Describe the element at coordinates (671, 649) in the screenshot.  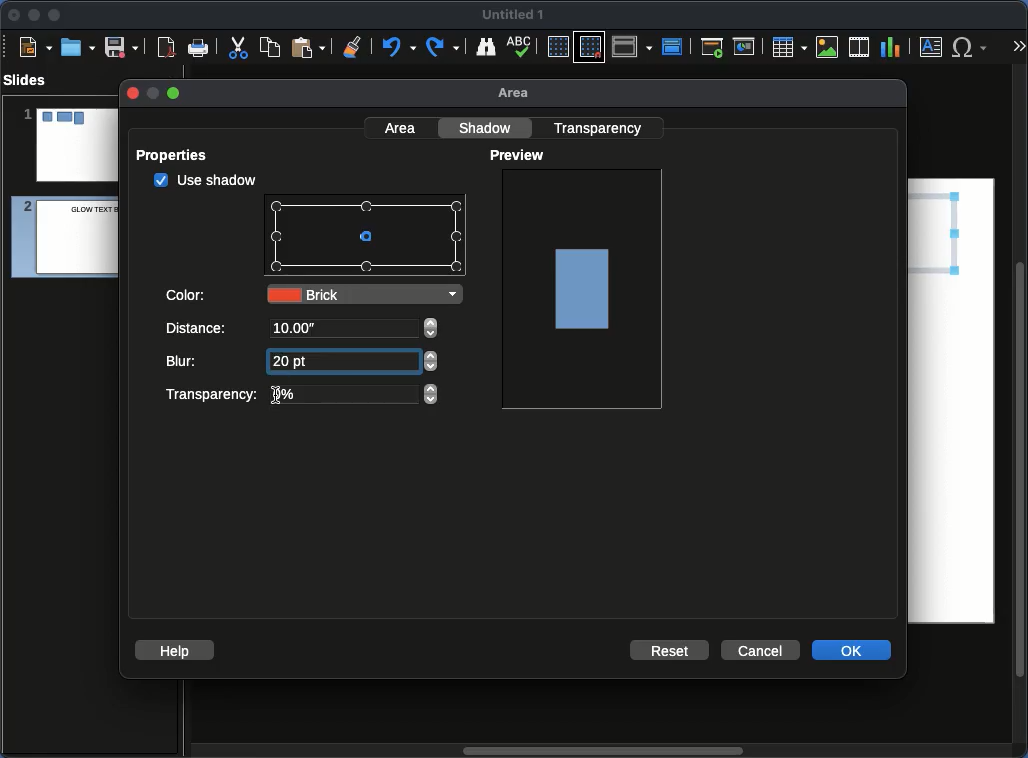
I see `Reset` at that location.